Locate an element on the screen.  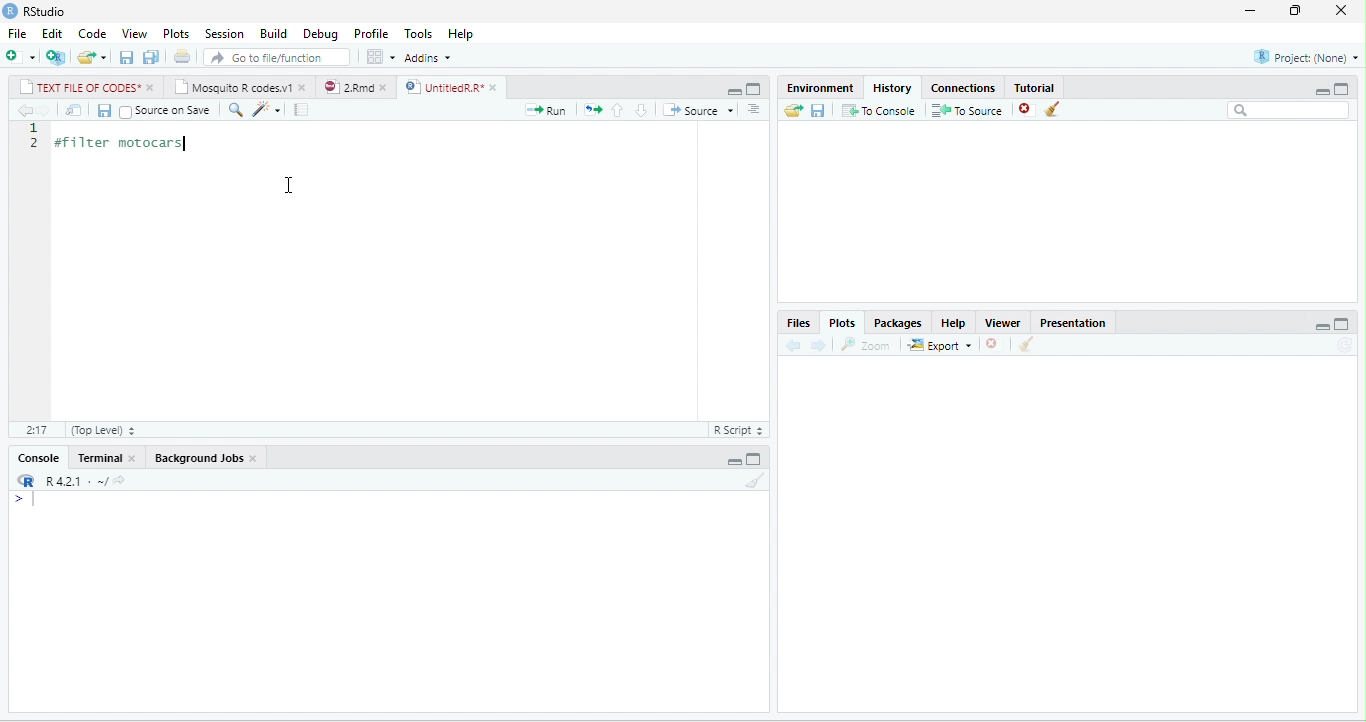
forward is located at coordinates (818, 346).